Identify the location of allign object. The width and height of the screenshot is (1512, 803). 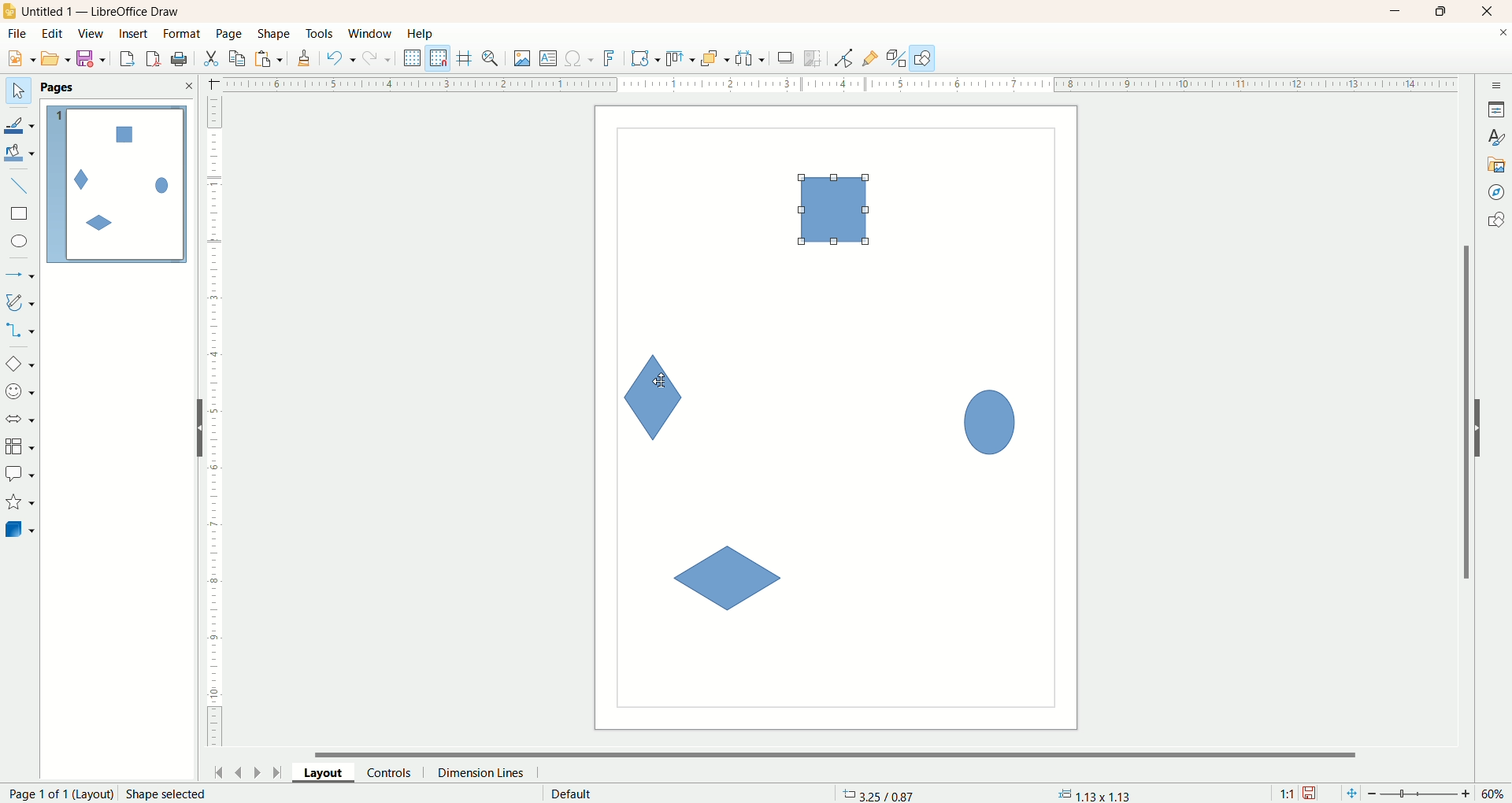
(681, 59).